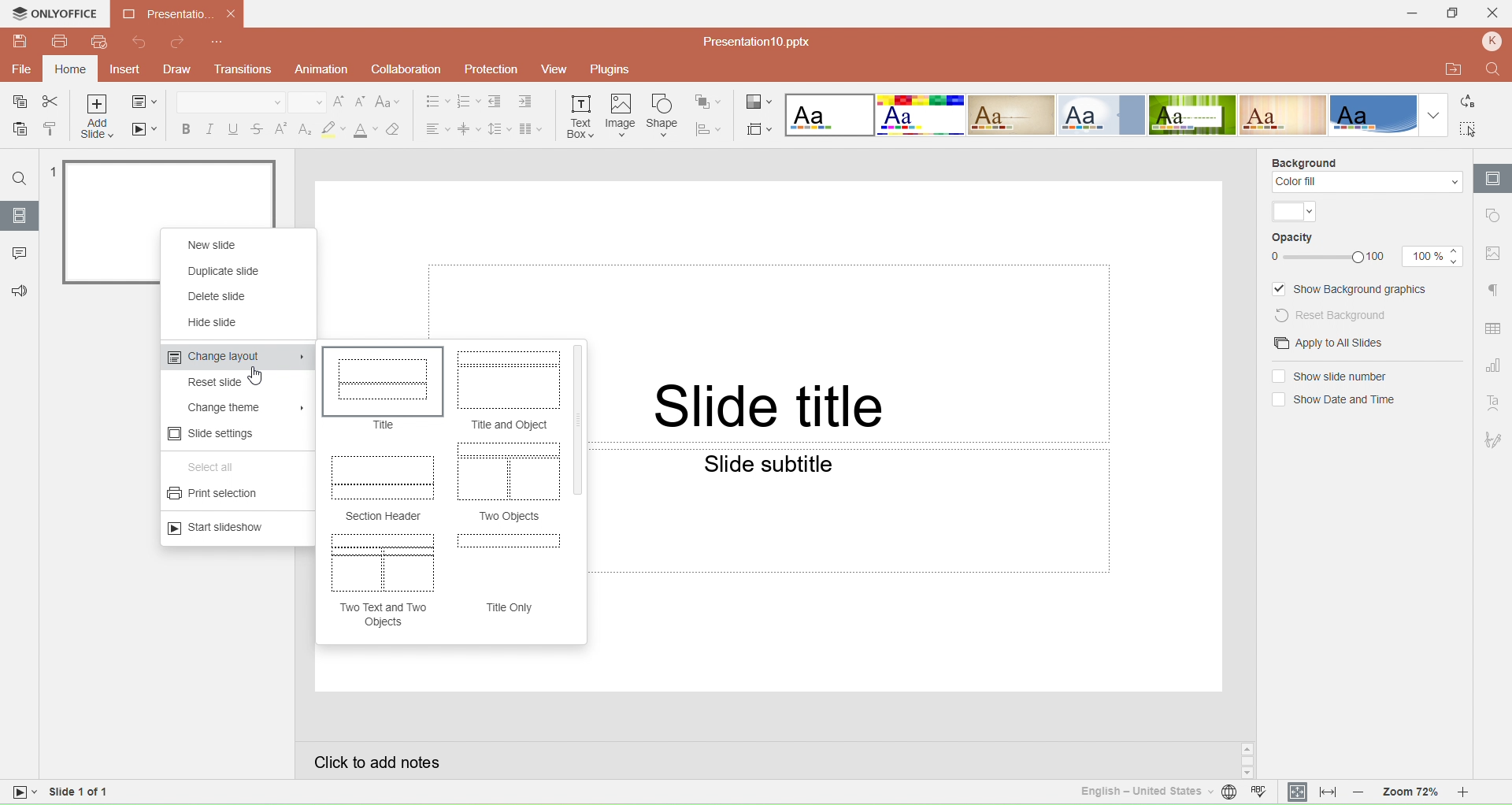 The image size is (1512, 805). Describe the element at coordinates (511, 517) in the screenshot. I see `Two Objects` at that location.